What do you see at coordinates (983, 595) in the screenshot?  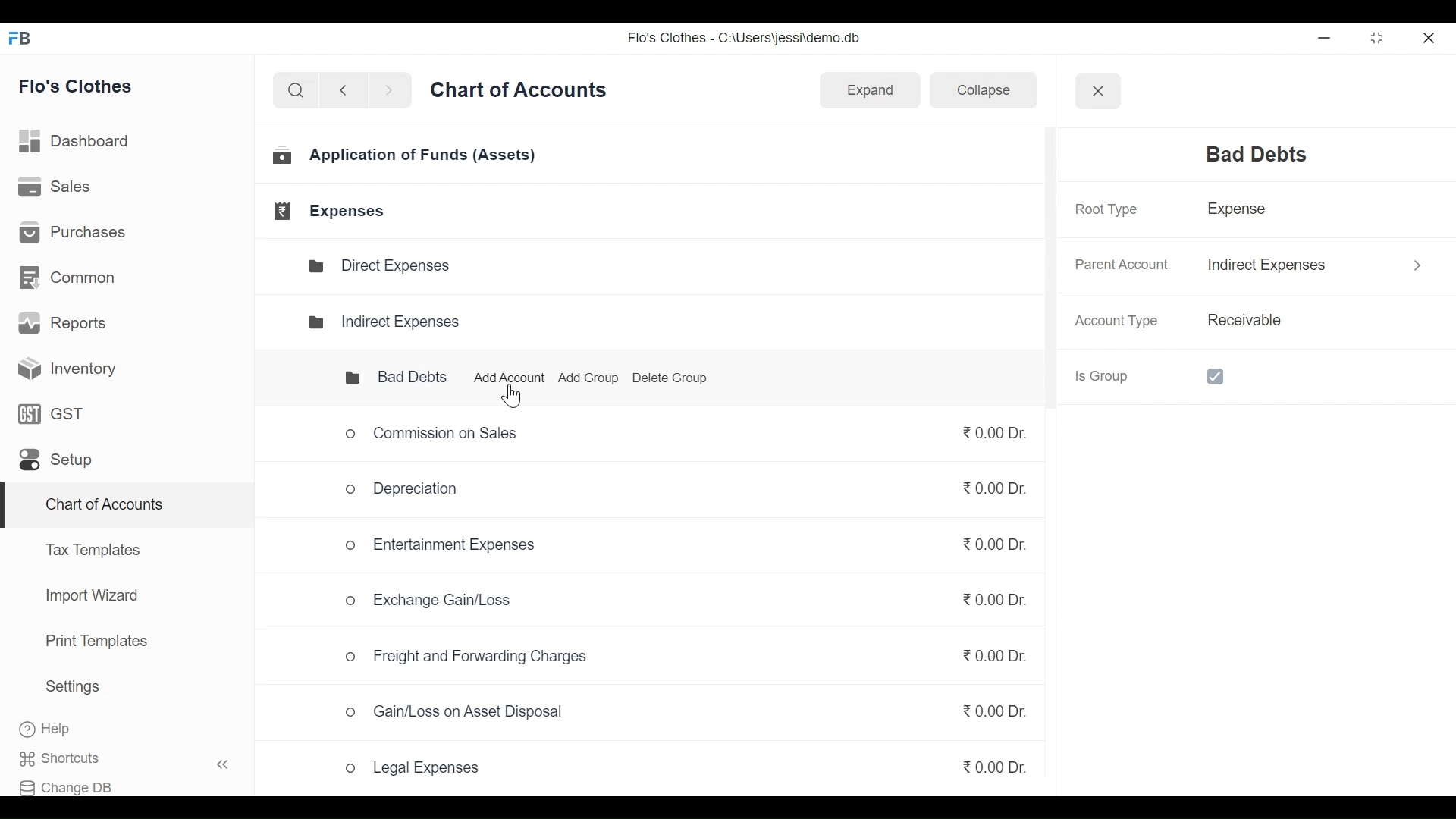 I see `₹0.00 Dr.` at bounding box center [983, 595].